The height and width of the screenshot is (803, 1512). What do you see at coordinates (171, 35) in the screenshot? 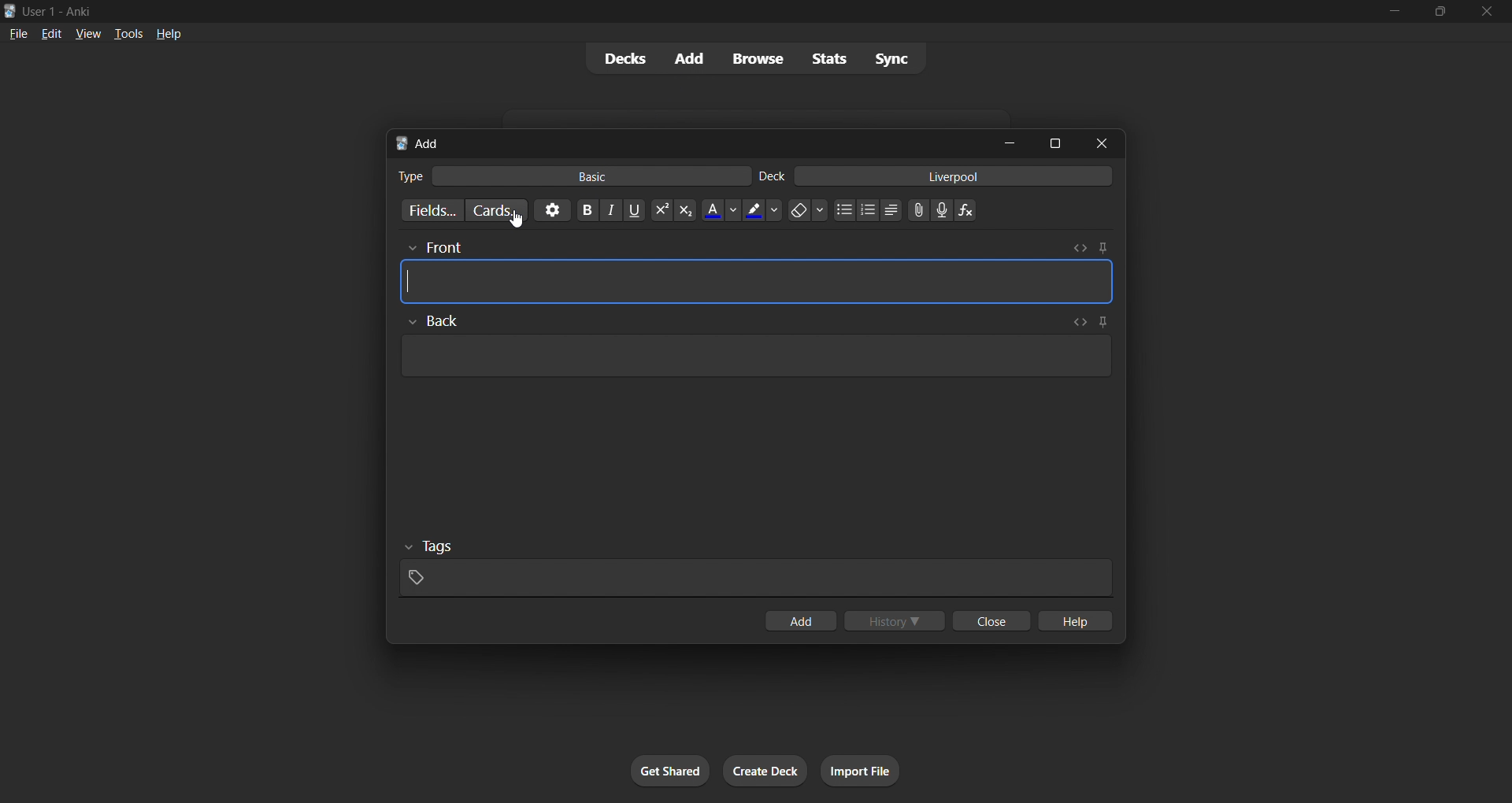
I see `help` at bounding box center [171, 35].